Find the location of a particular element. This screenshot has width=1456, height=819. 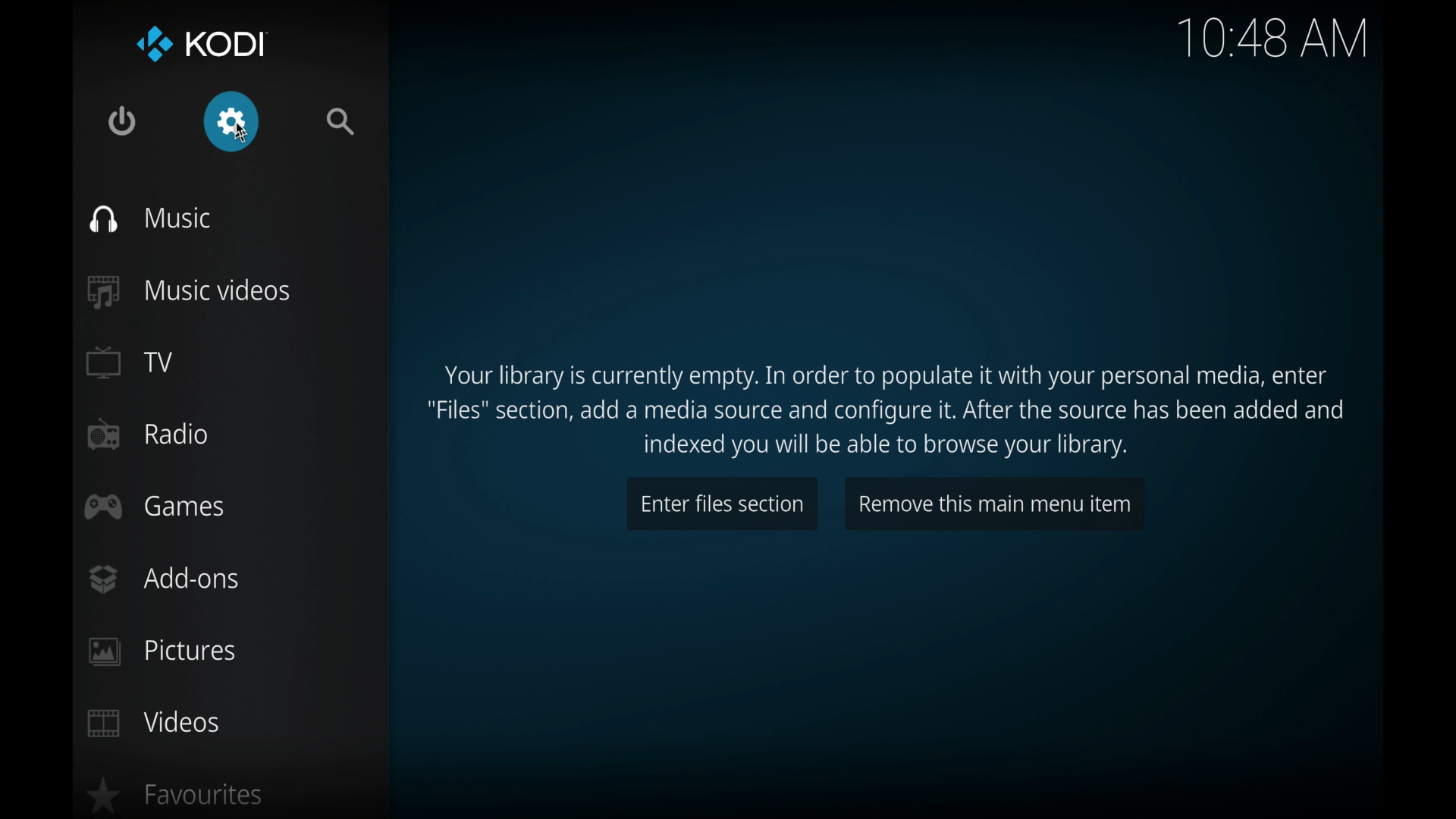

kodi is located at coordinates (202, 44).